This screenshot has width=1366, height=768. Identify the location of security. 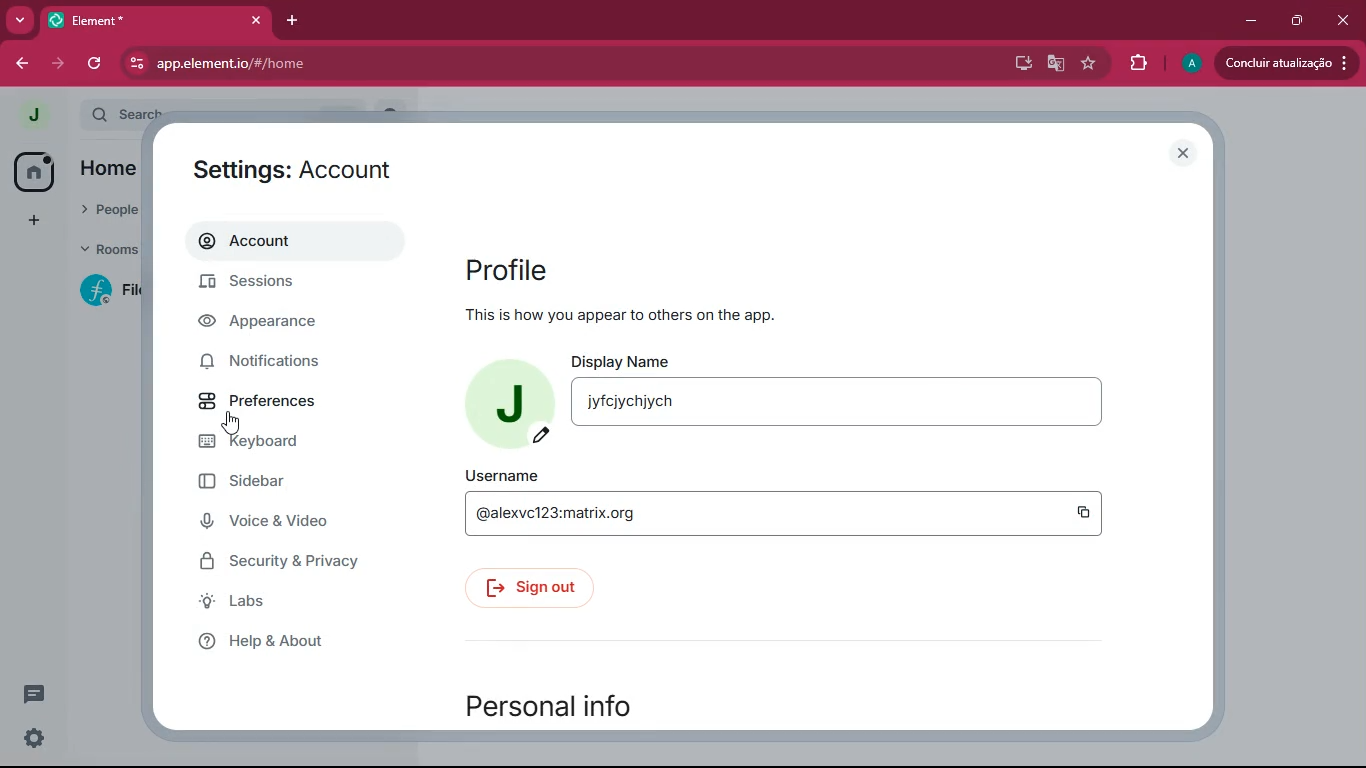
(297, 563).